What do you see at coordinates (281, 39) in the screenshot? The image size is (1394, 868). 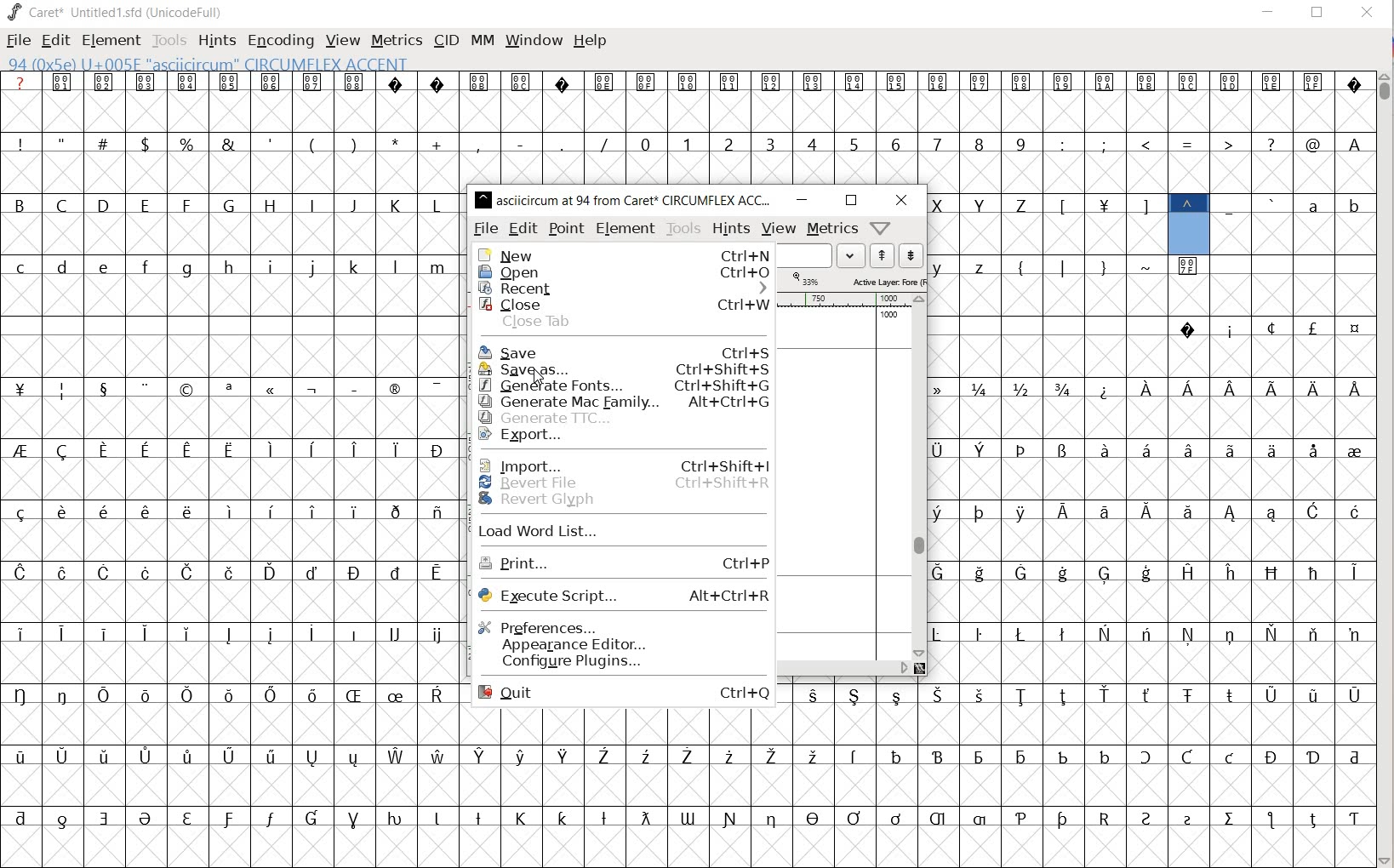 I see `ENCODING` at bounding box center [281, 39].